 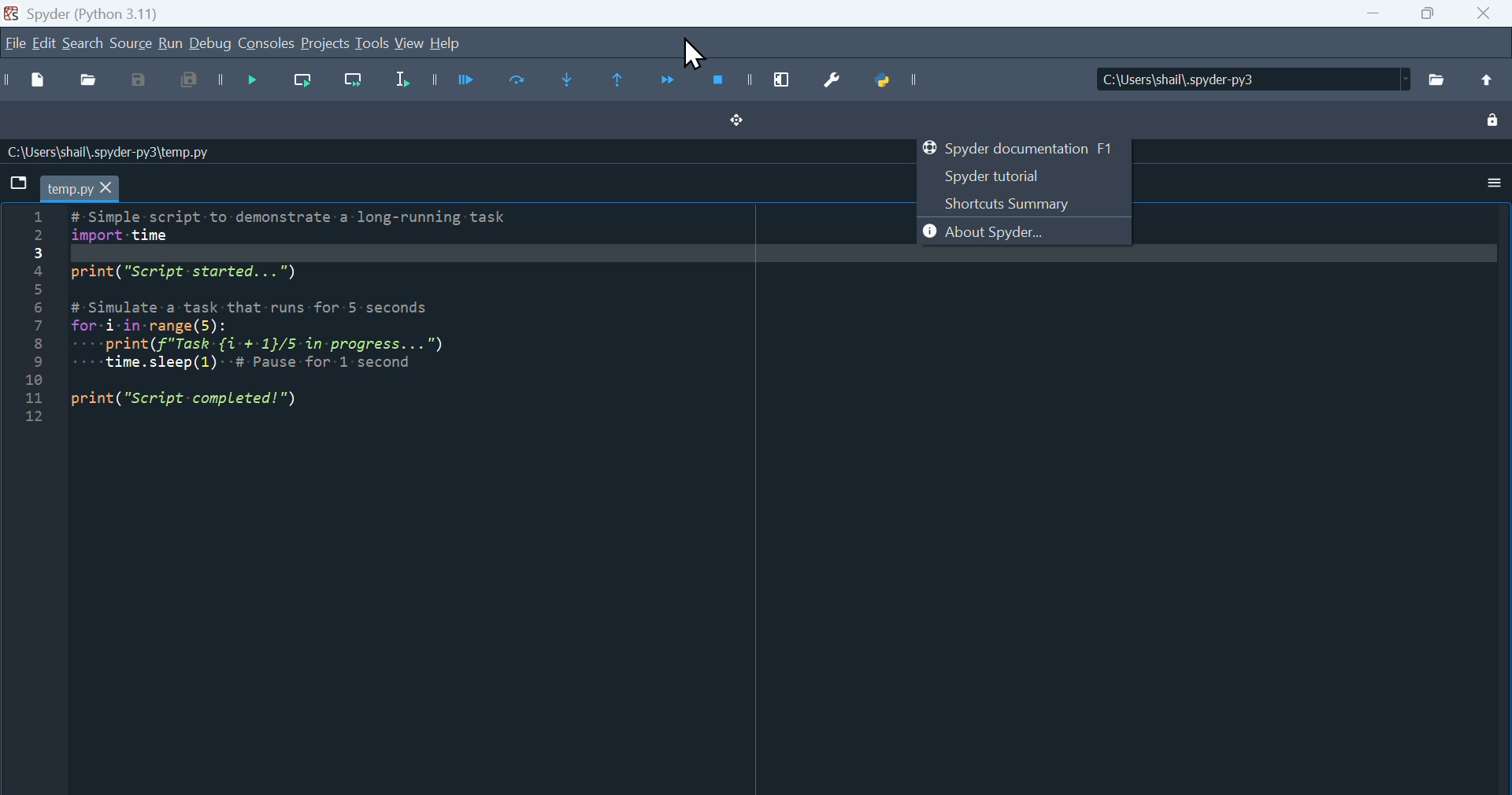 What do you see at coordinates (280, 316) in the screenshot?
I see `Python code` at bounding box center [280, 316].